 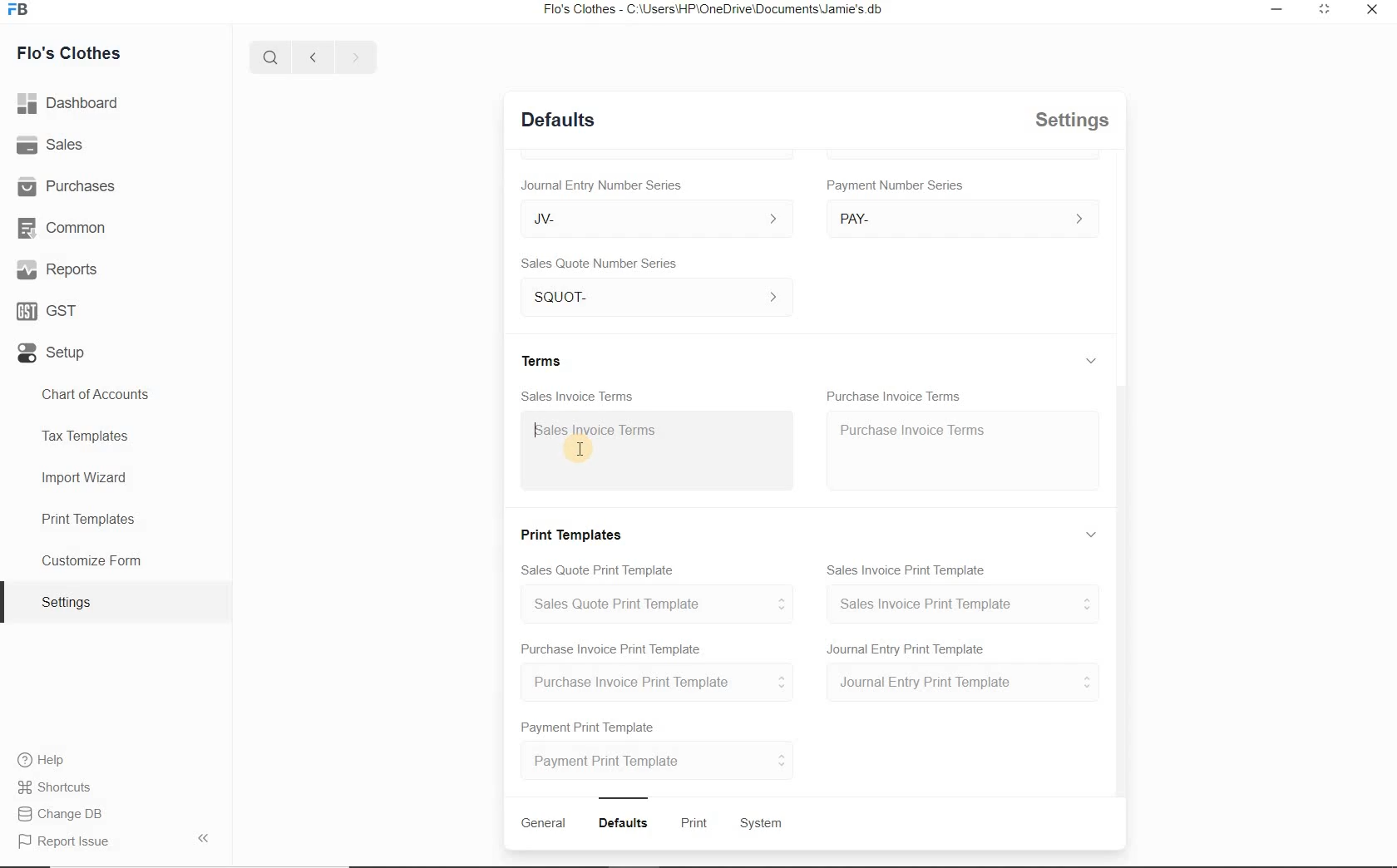 What do you see at coordinates (895, 392) in the screenshot?
I see `Purchase Invoice Terms` at bounding box center [895, 392].